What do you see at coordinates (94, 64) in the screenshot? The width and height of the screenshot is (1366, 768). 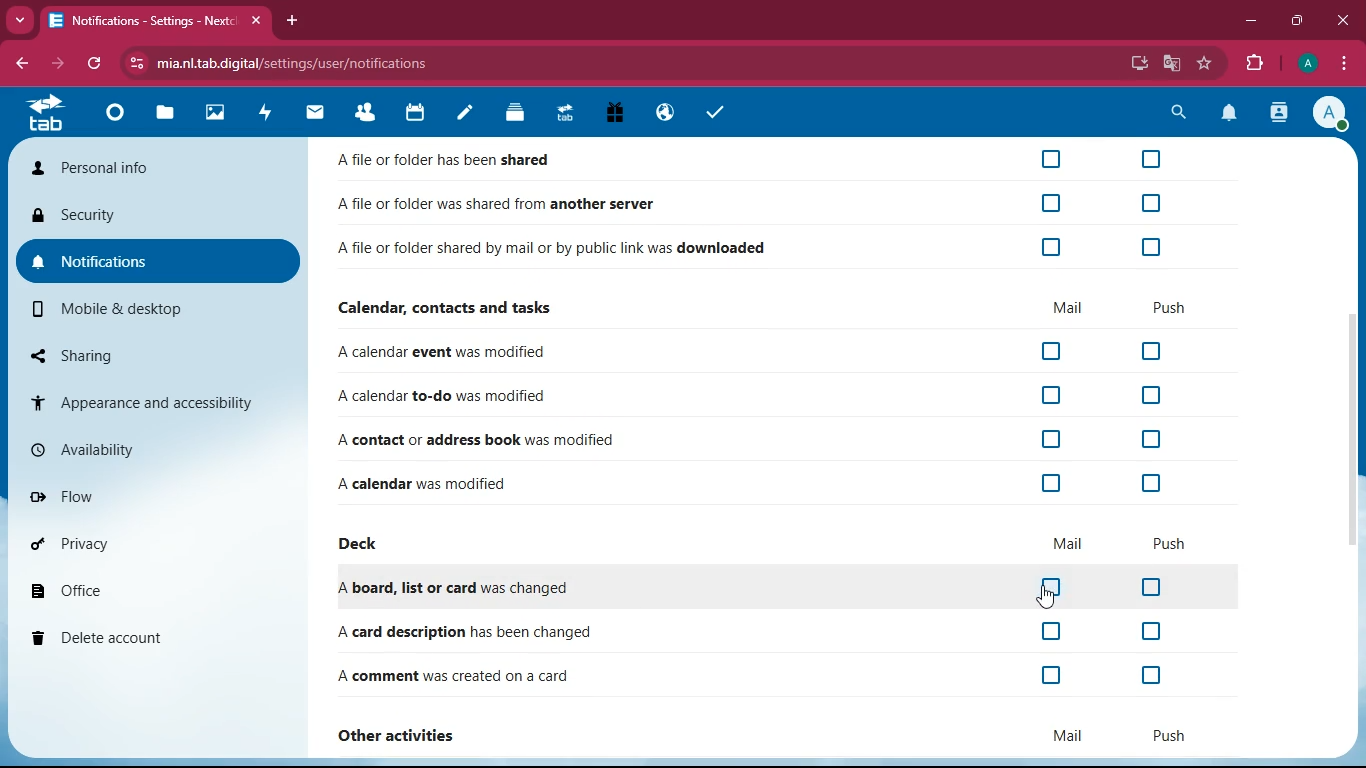 I see `refresh` at bounding box center [94, 64].